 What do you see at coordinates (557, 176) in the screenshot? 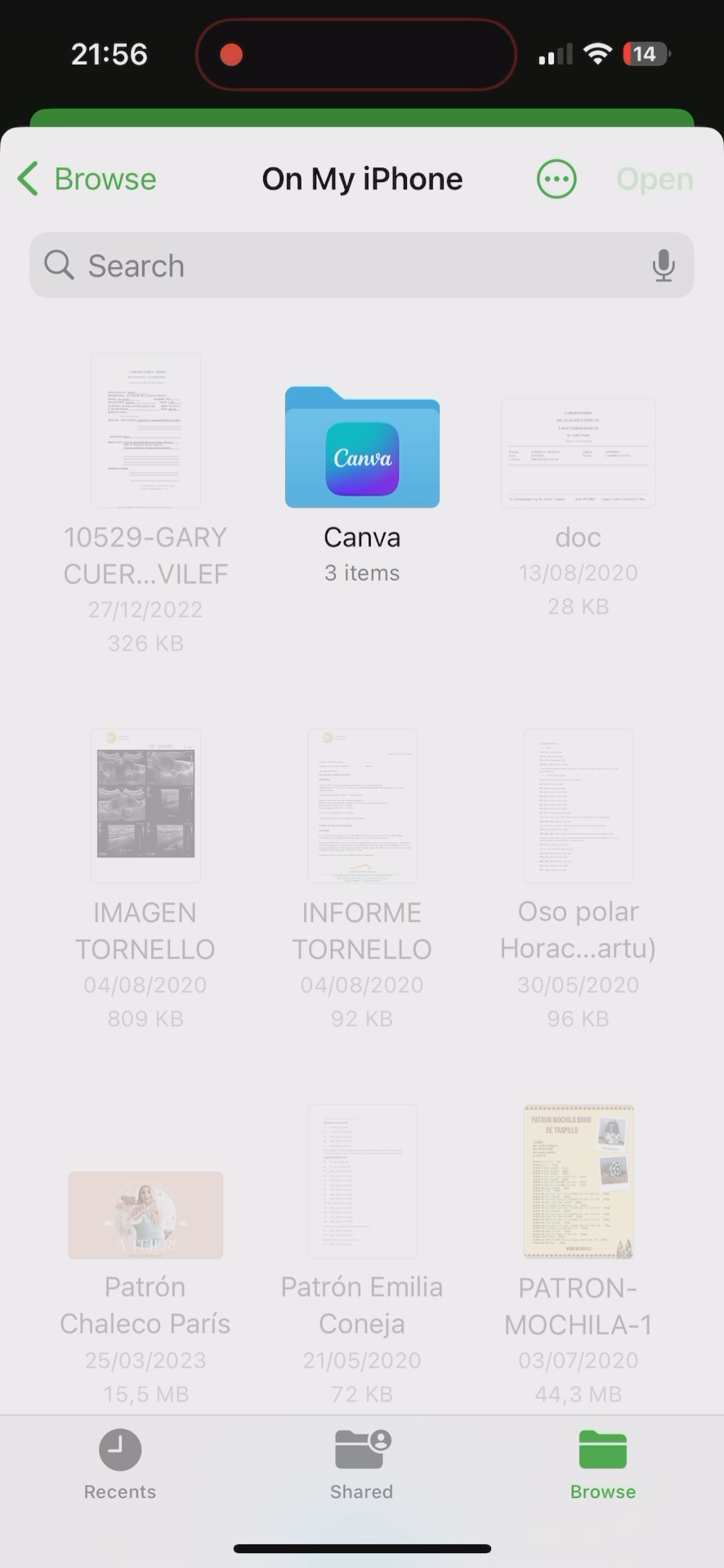
I see `more settings` at bounding box center [557, 176].